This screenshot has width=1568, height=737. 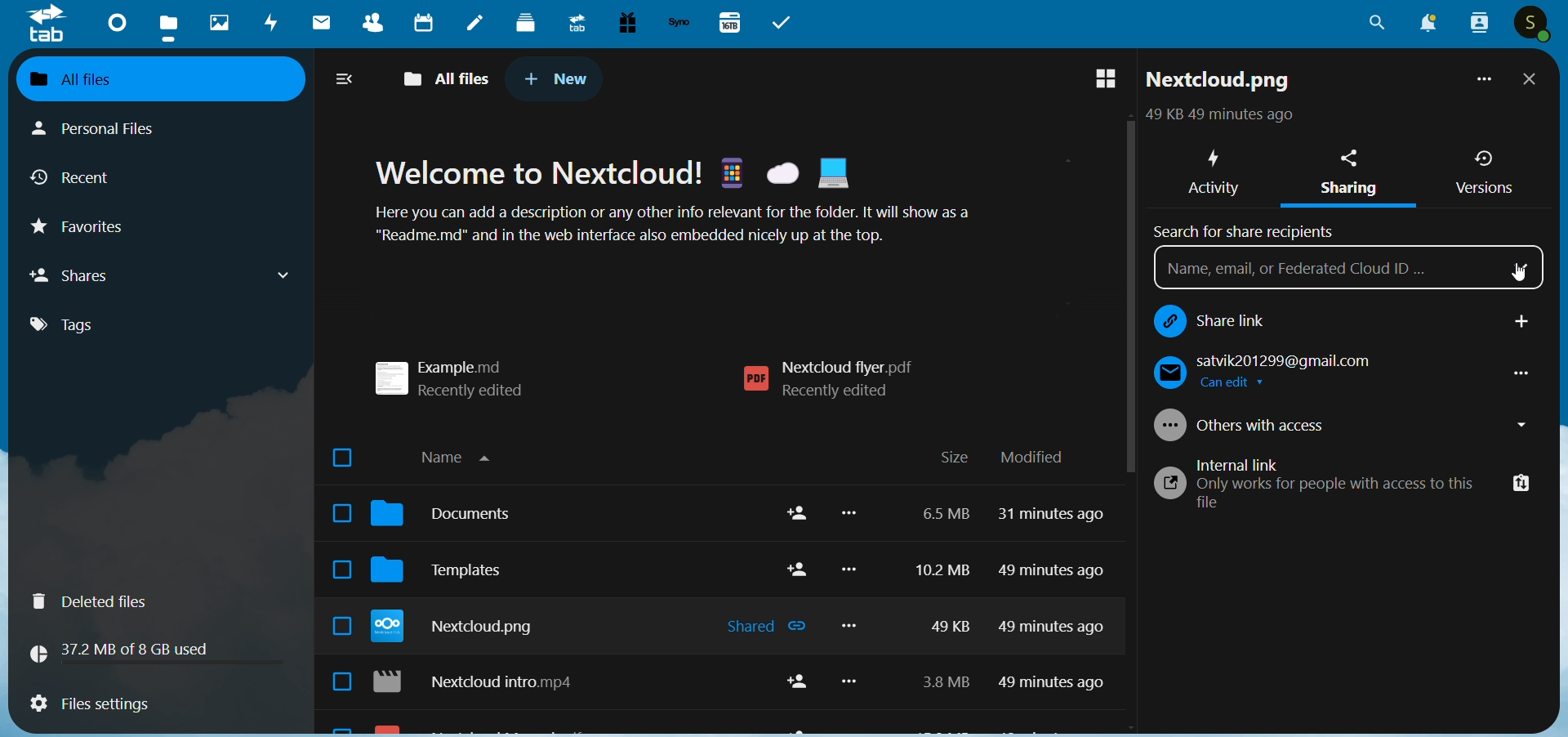 What do you see at coordinates (837, 380) in the screenshot?
I see `nextcloud flyer` at bounding box center [837, 380].